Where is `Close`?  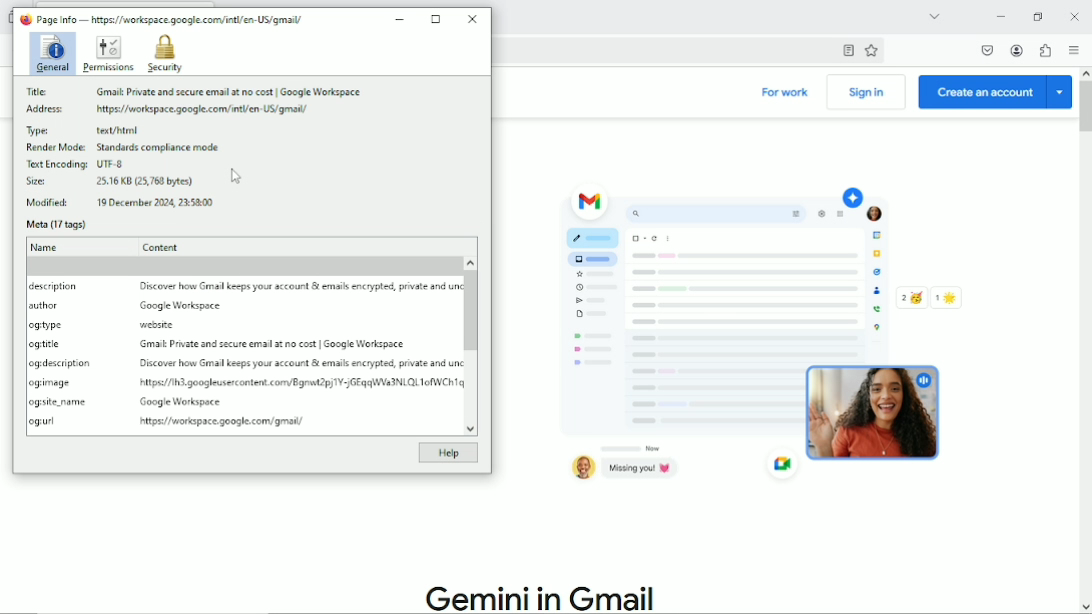
Close is located at coordinates (471, 19).